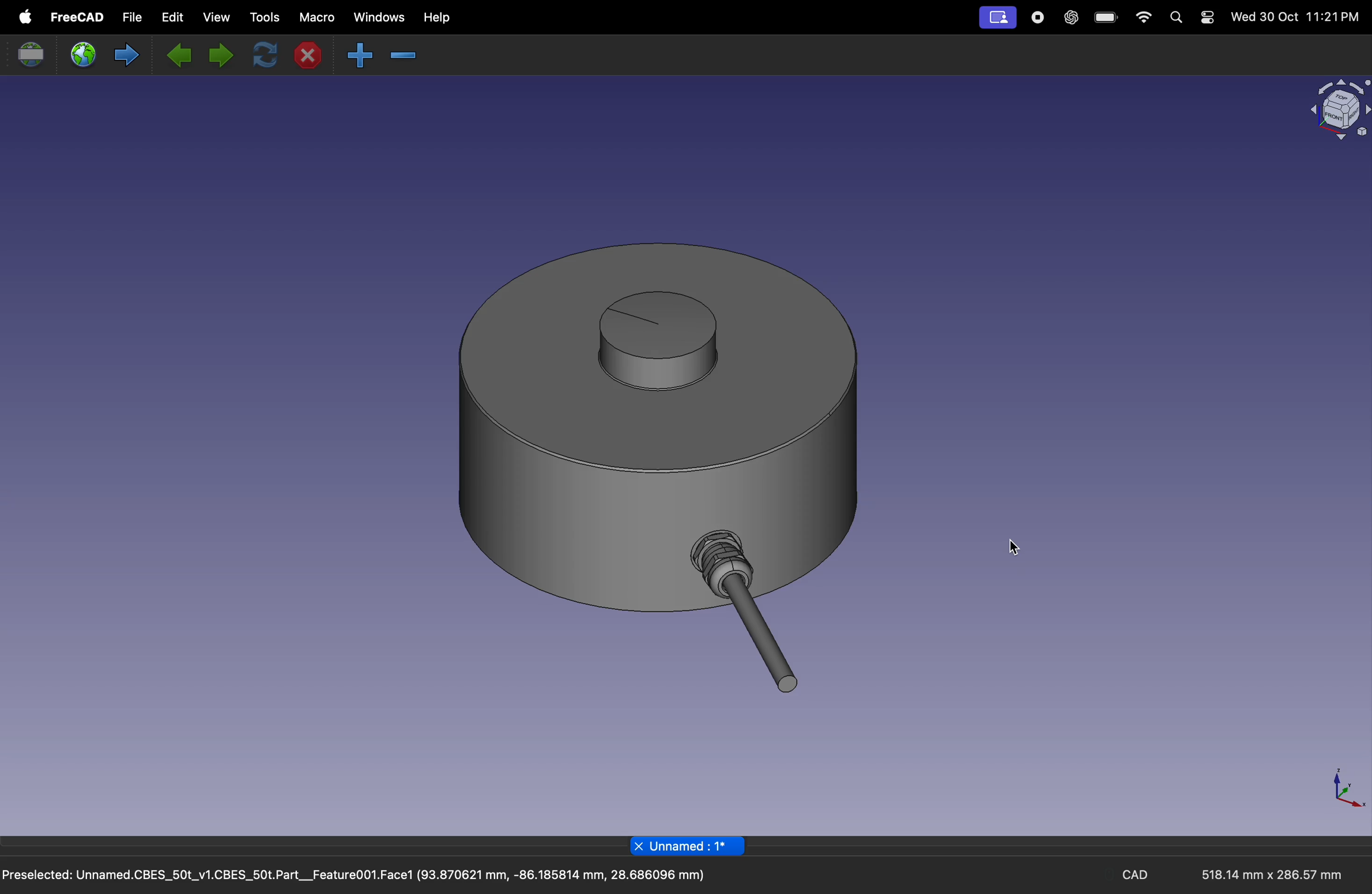  Describe the element at coordinates (1137, 876) in the screenshot. I see `CAD` at that location.